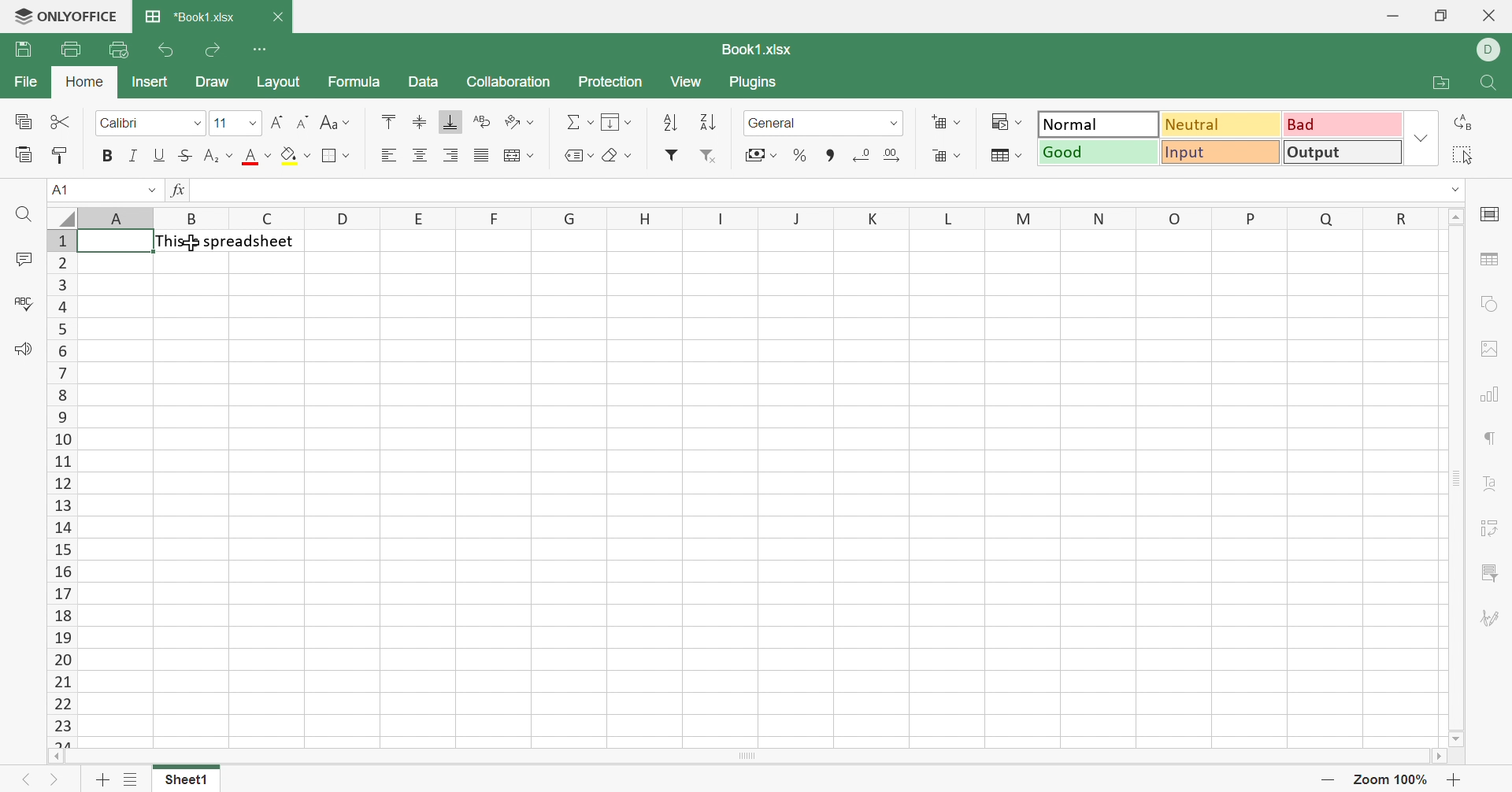 The image size is (1512, 792). Describe the element at coordinates (1491, 49) in the screenshot. I see `DELL` at that location.